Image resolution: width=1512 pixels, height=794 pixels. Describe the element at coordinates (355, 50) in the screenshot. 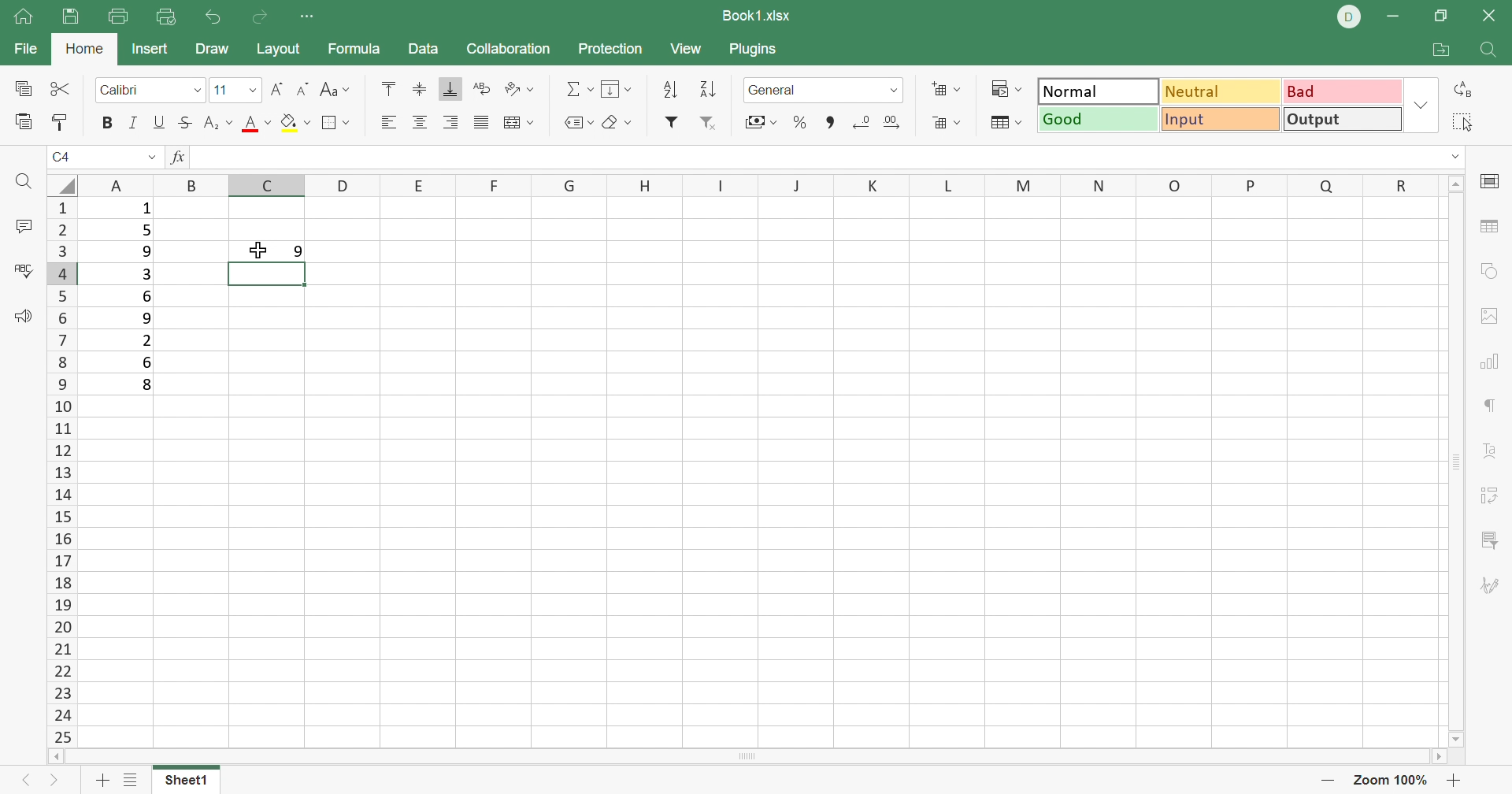

I see `Formula` at that location.